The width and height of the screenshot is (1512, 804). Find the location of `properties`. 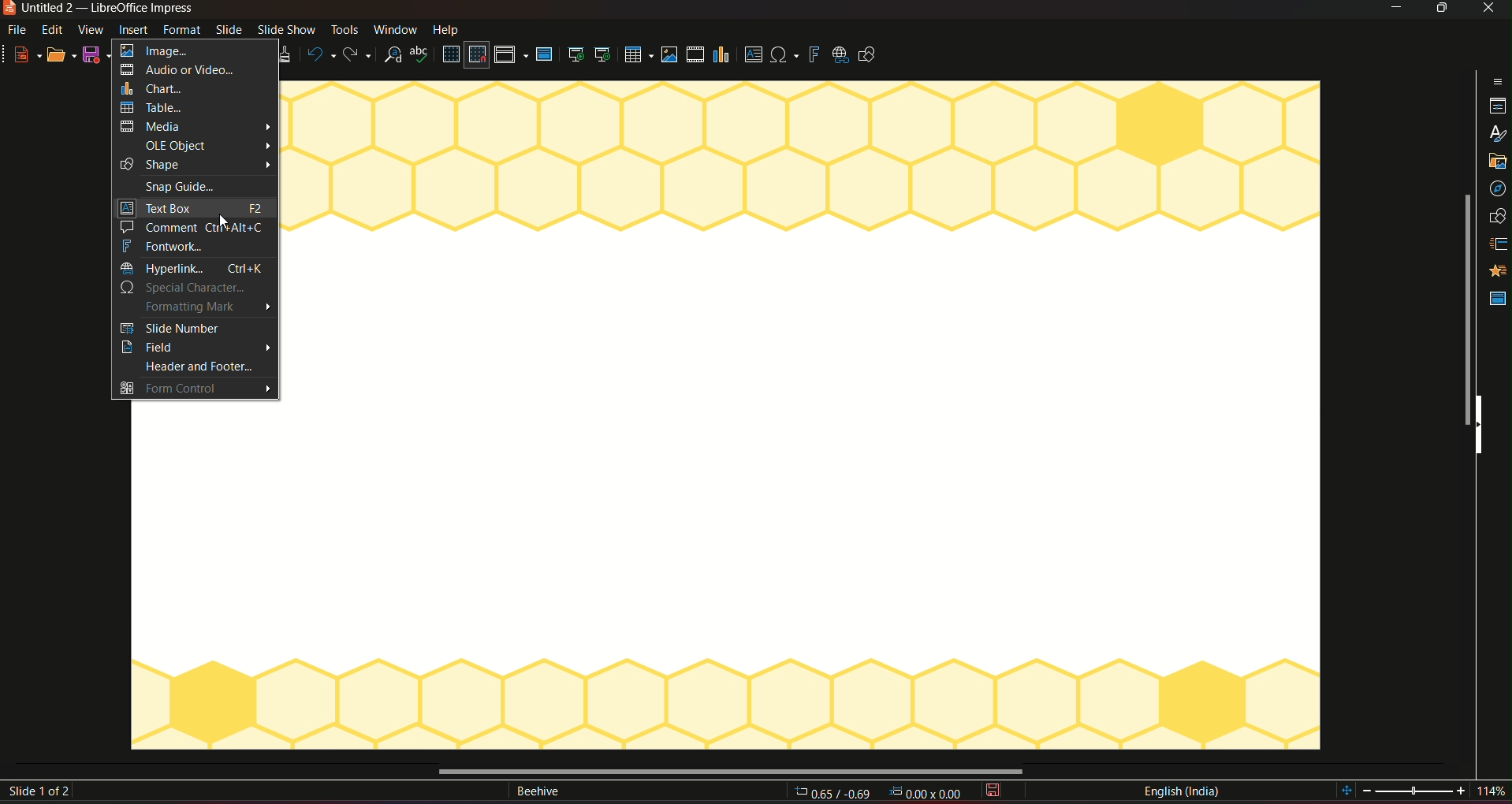

properties is located at coordinates (1496, 106).